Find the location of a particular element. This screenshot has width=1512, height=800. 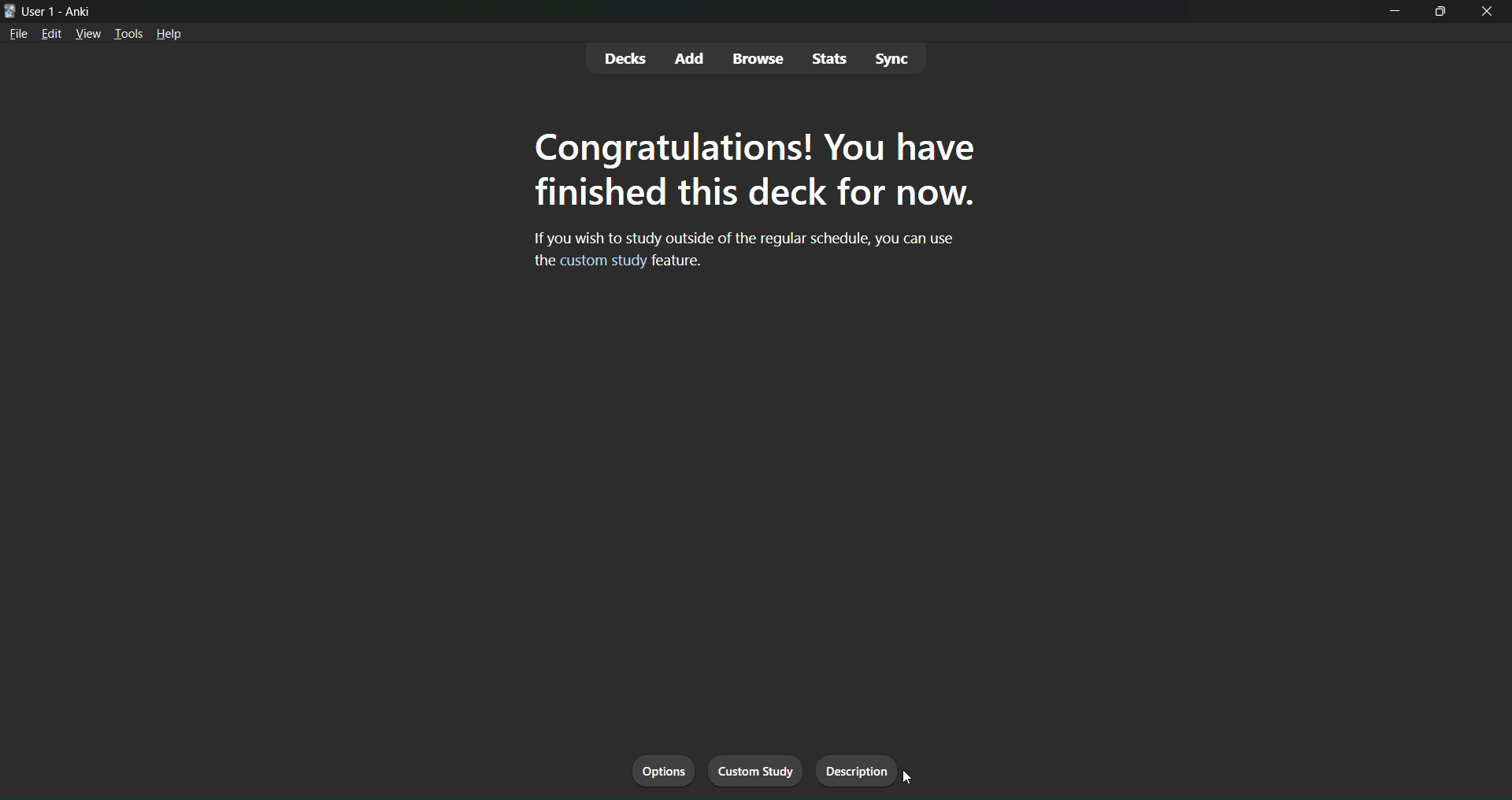

stats is located at coordinates (828, 57).